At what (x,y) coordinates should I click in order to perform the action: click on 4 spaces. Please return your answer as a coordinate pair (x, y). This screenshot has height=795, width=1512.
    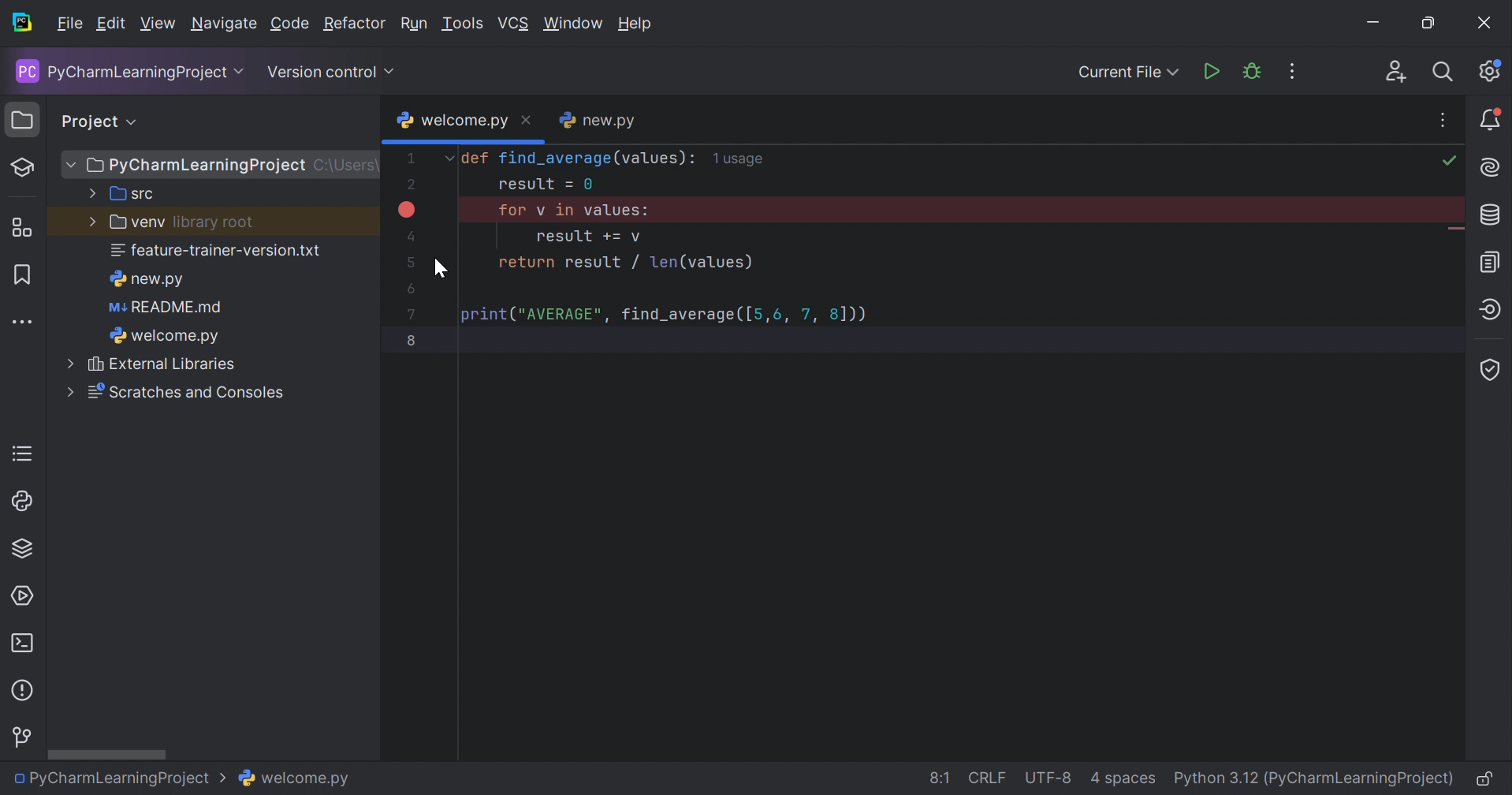
    Looking at the image, I should click on (1125, 778).